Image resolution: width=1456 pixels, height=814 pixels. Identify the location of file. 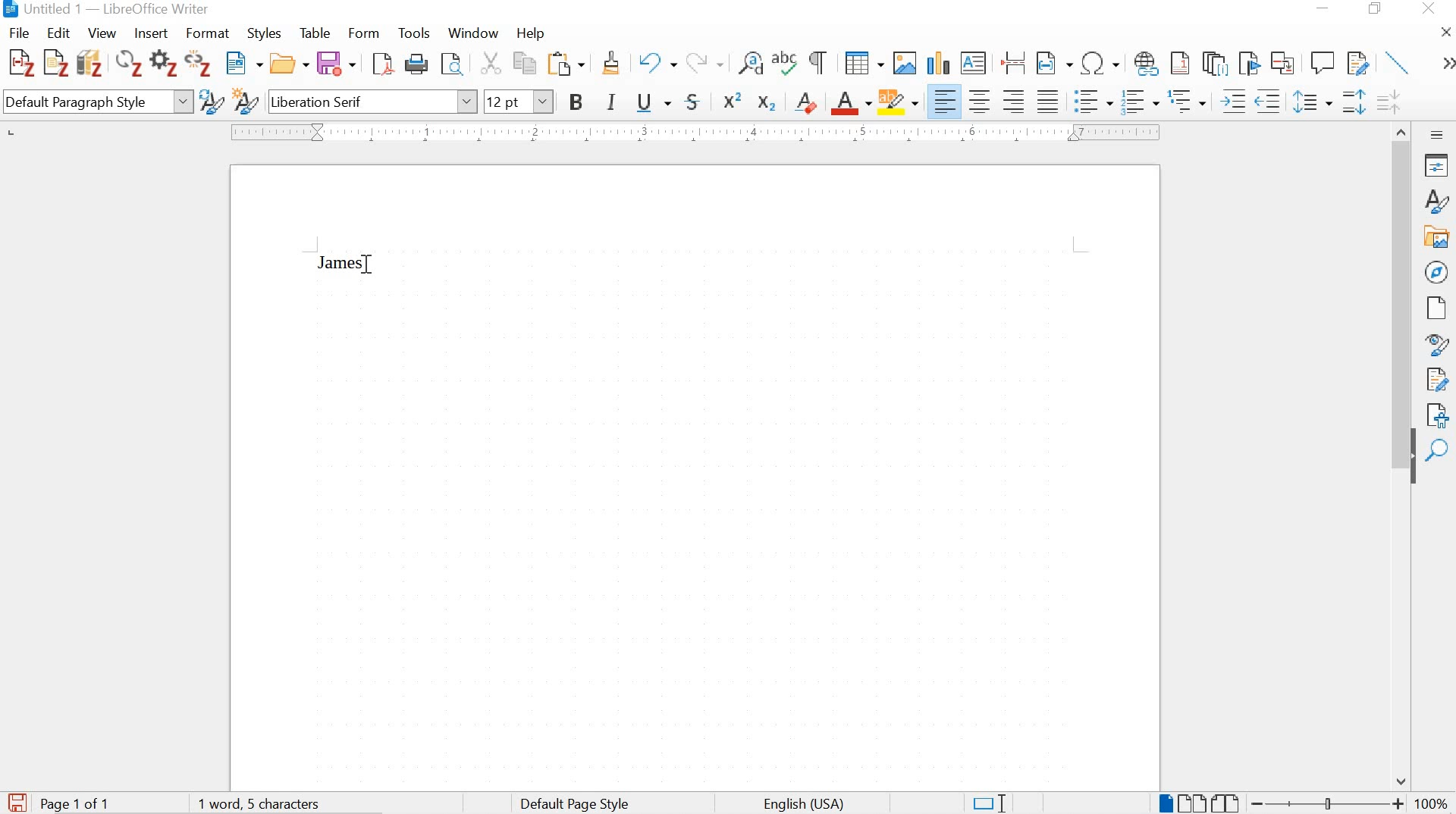
(20, 33).